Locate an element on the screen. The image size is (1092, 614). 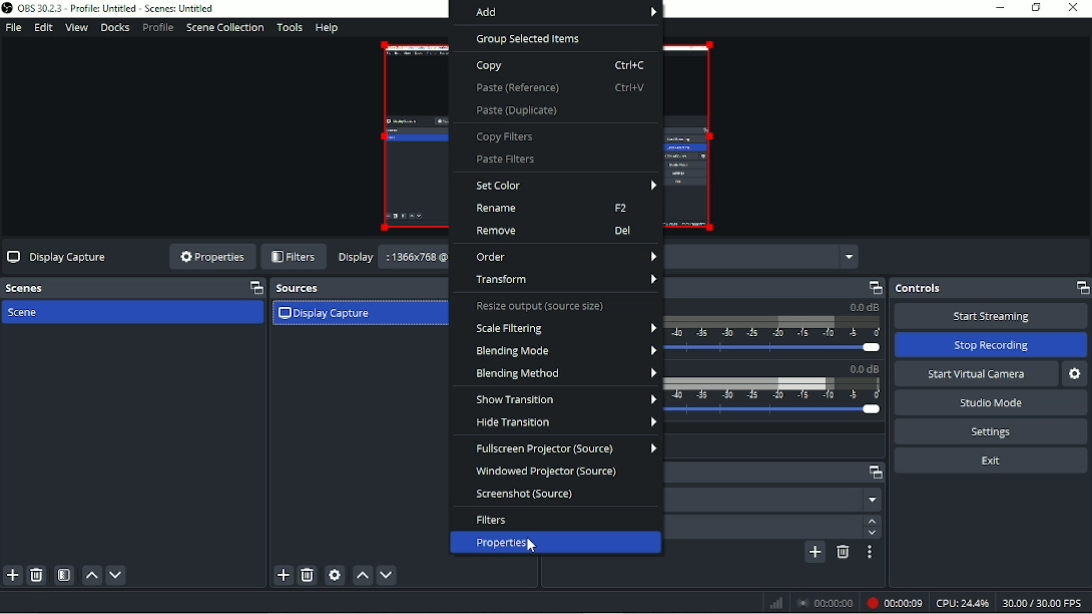
Transform is located at coordinates (562, 281).